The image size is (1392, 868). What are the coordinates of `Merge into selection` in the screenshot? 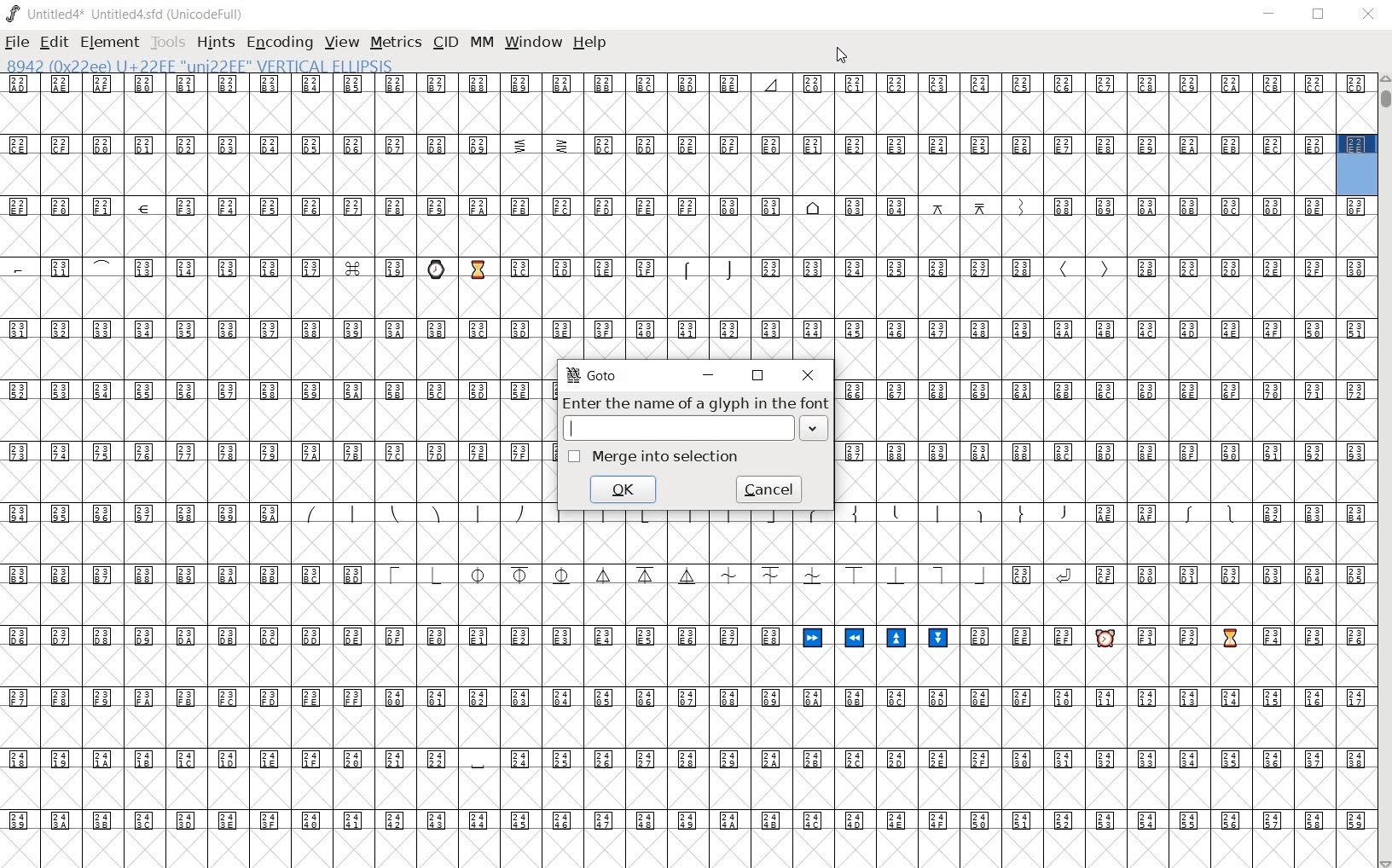 It's located at (654, 456).